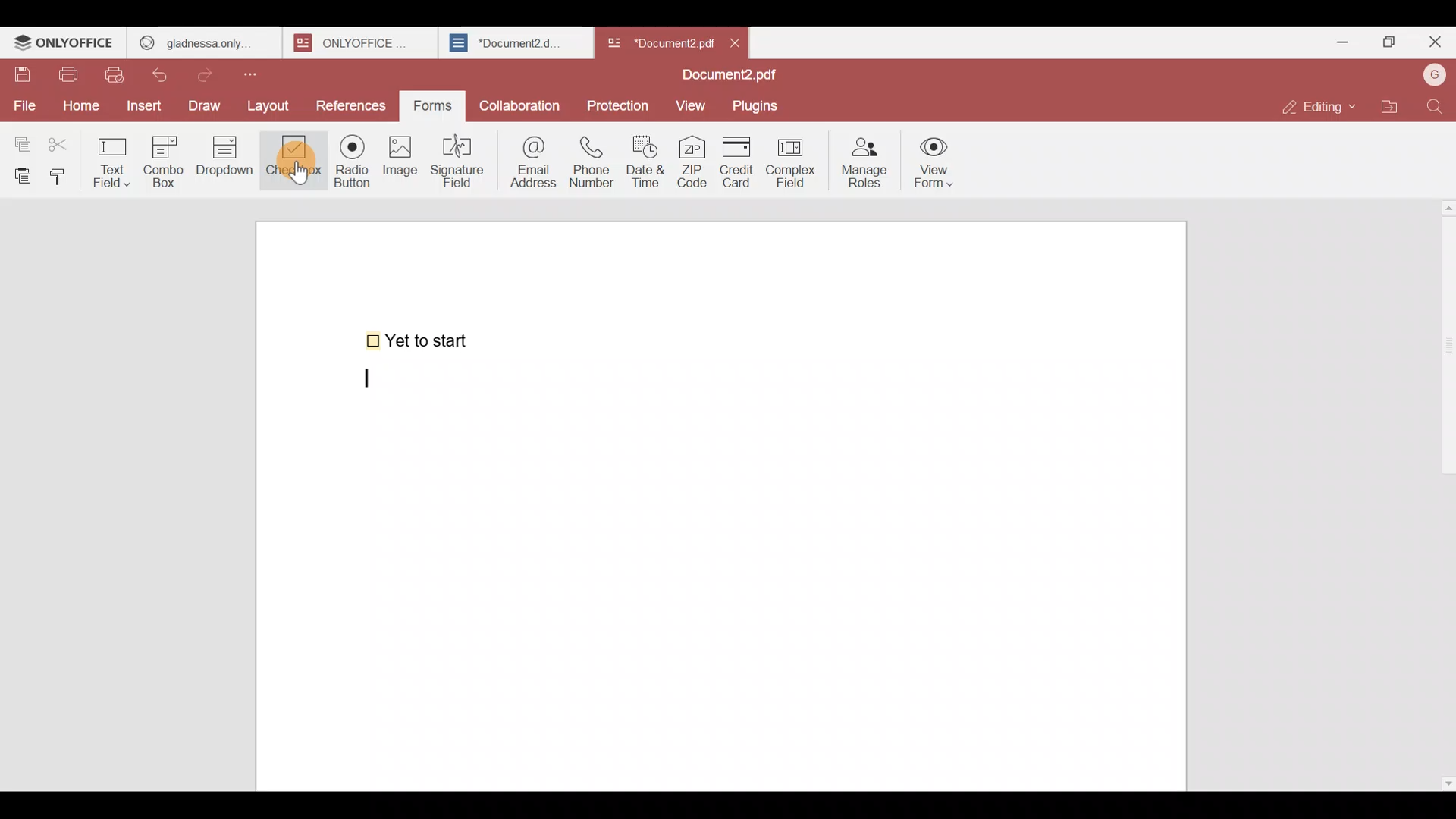 This screenshot has width=1456, height=819. I want to click on Copy, so click(20, 140).